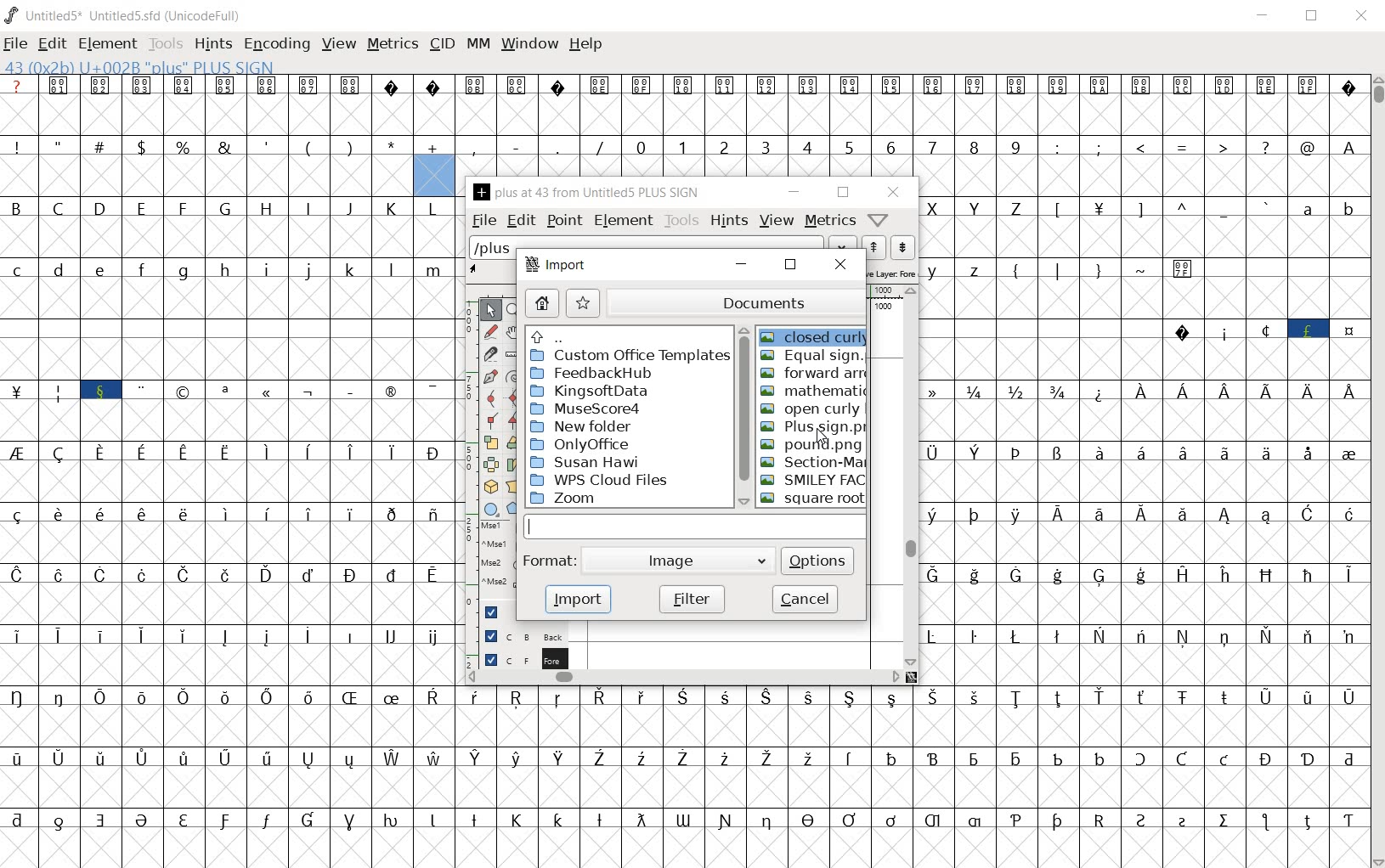 This screenshot has height=868, width=1385. I want to click on POUND-PNG, so click(813, 446).